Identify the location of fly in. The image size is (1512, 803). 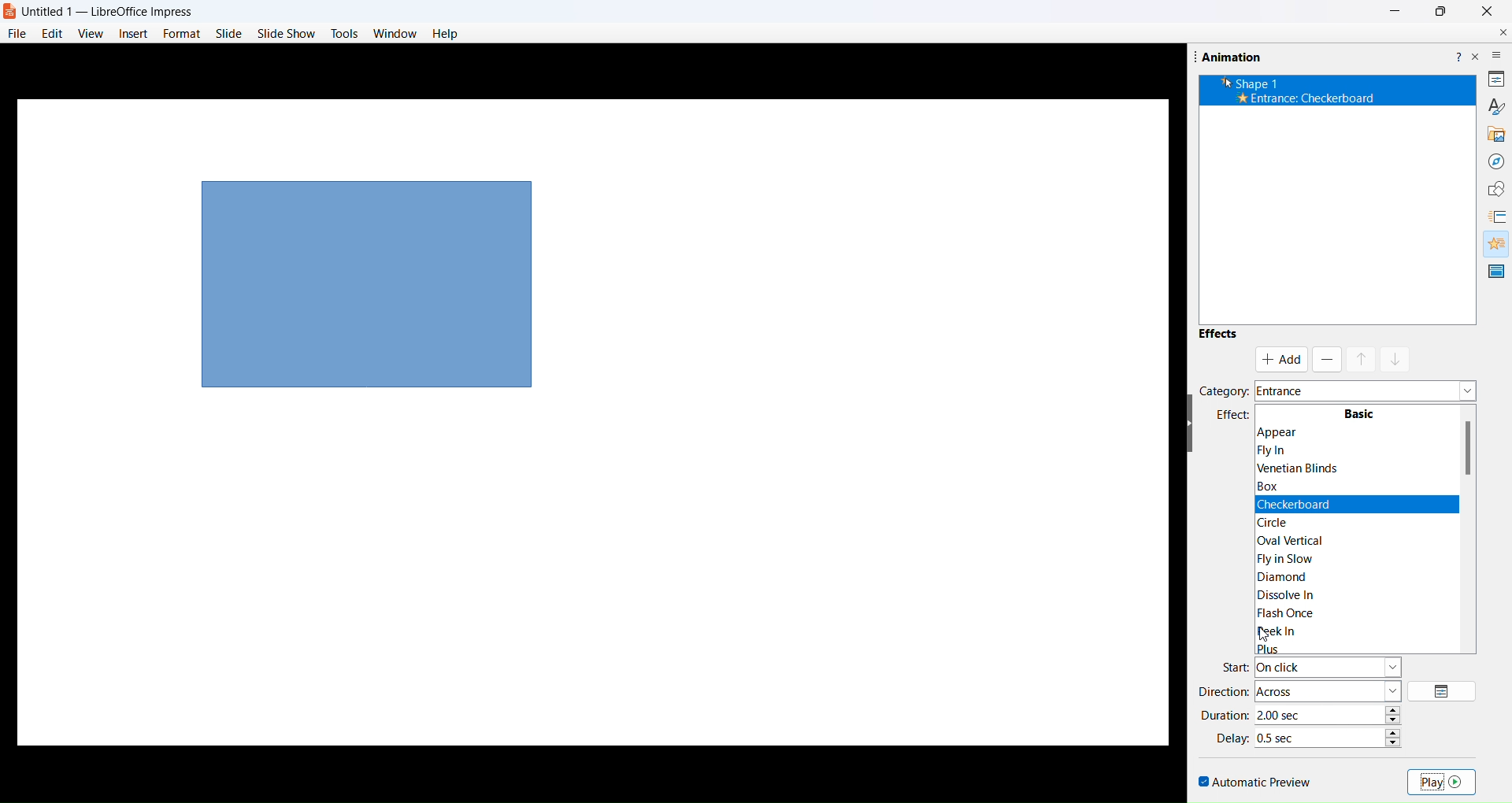
(1279, 450).